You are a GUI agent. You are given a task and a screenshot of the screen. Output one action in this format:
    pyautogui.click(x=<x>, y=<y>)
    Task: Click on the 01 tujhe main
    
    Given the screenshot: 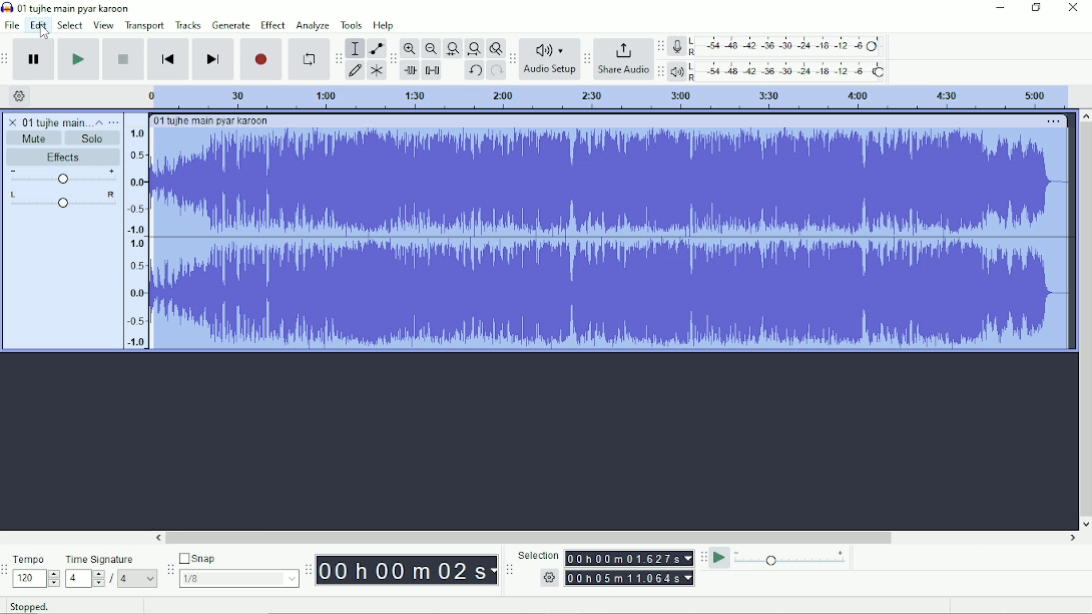 What is the action you would take?
    pyautogui.click(x=55, y=121)
    